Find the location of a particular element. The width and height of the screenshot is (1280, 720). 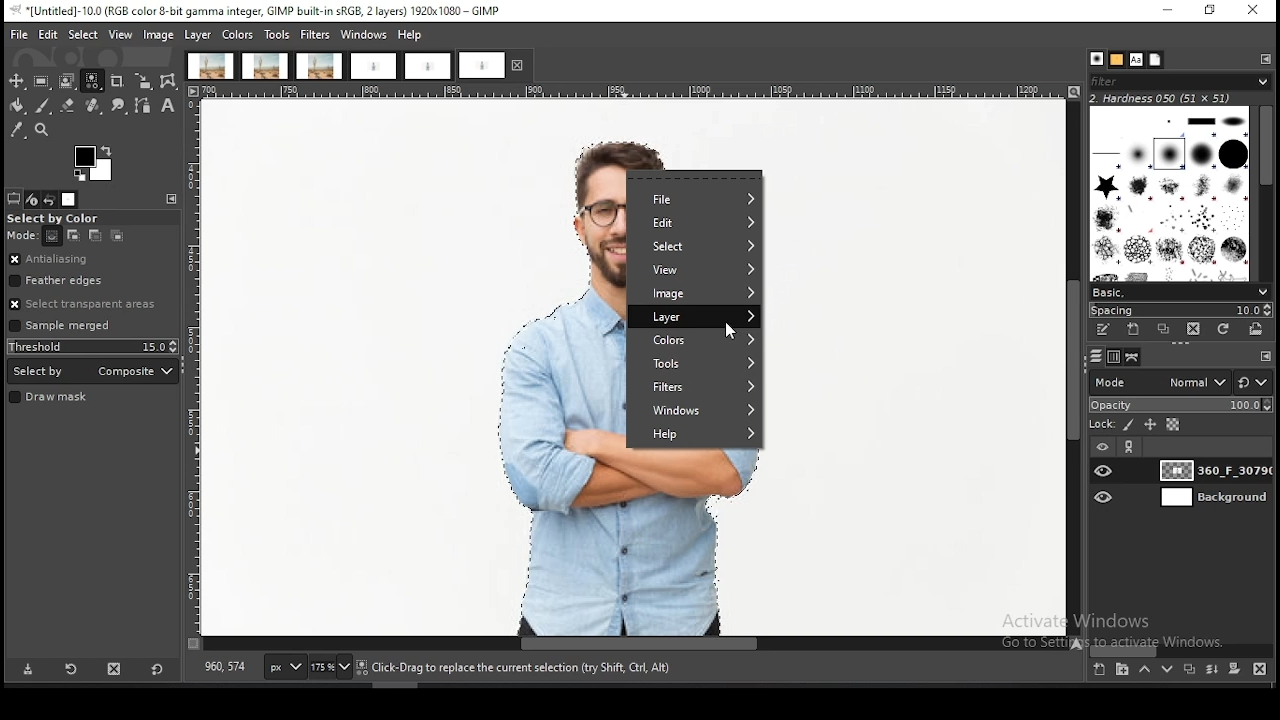

image is located at coordinates (692, 294).